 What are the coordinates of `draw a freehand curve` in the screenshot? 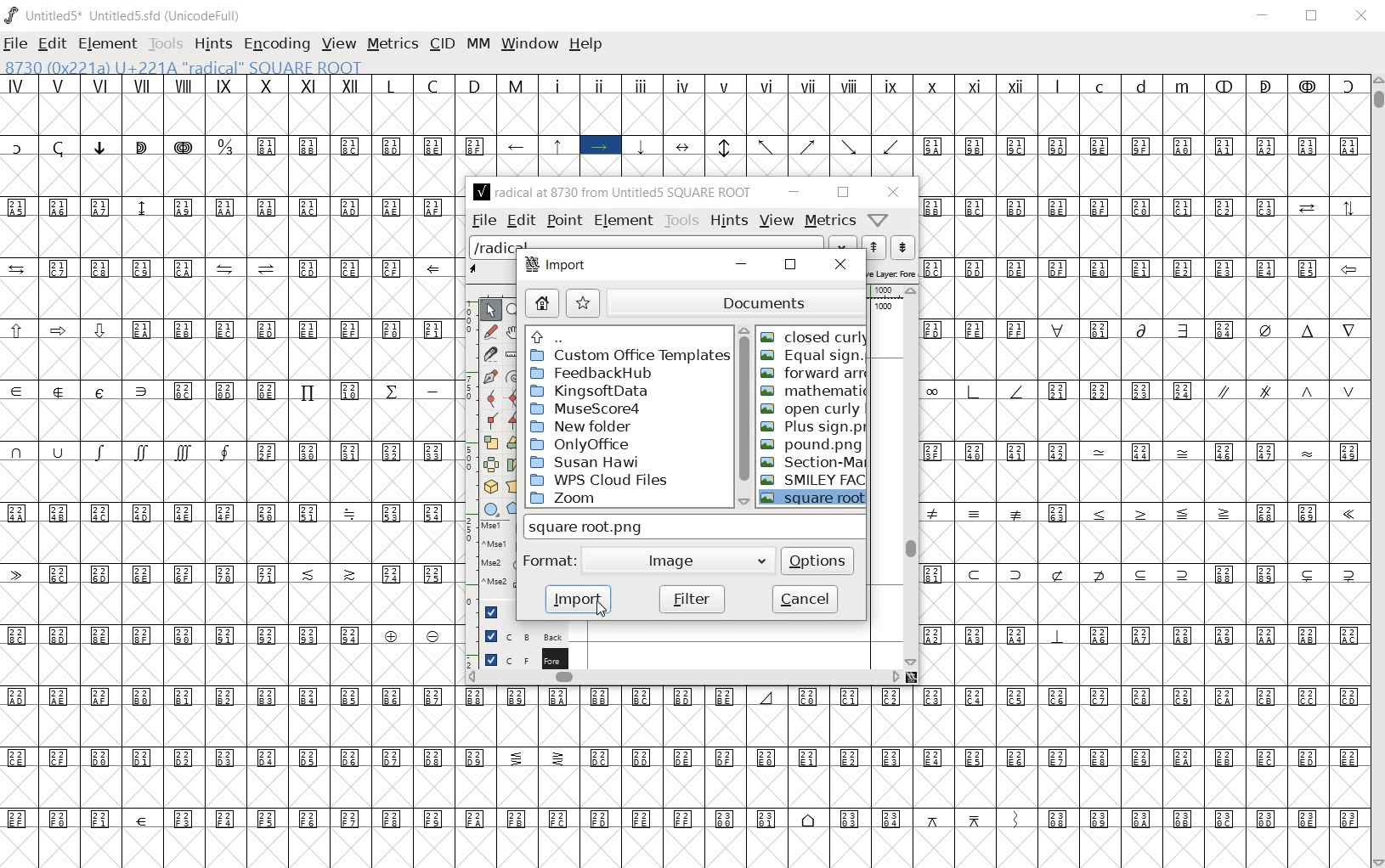 It's located at (490, 331).